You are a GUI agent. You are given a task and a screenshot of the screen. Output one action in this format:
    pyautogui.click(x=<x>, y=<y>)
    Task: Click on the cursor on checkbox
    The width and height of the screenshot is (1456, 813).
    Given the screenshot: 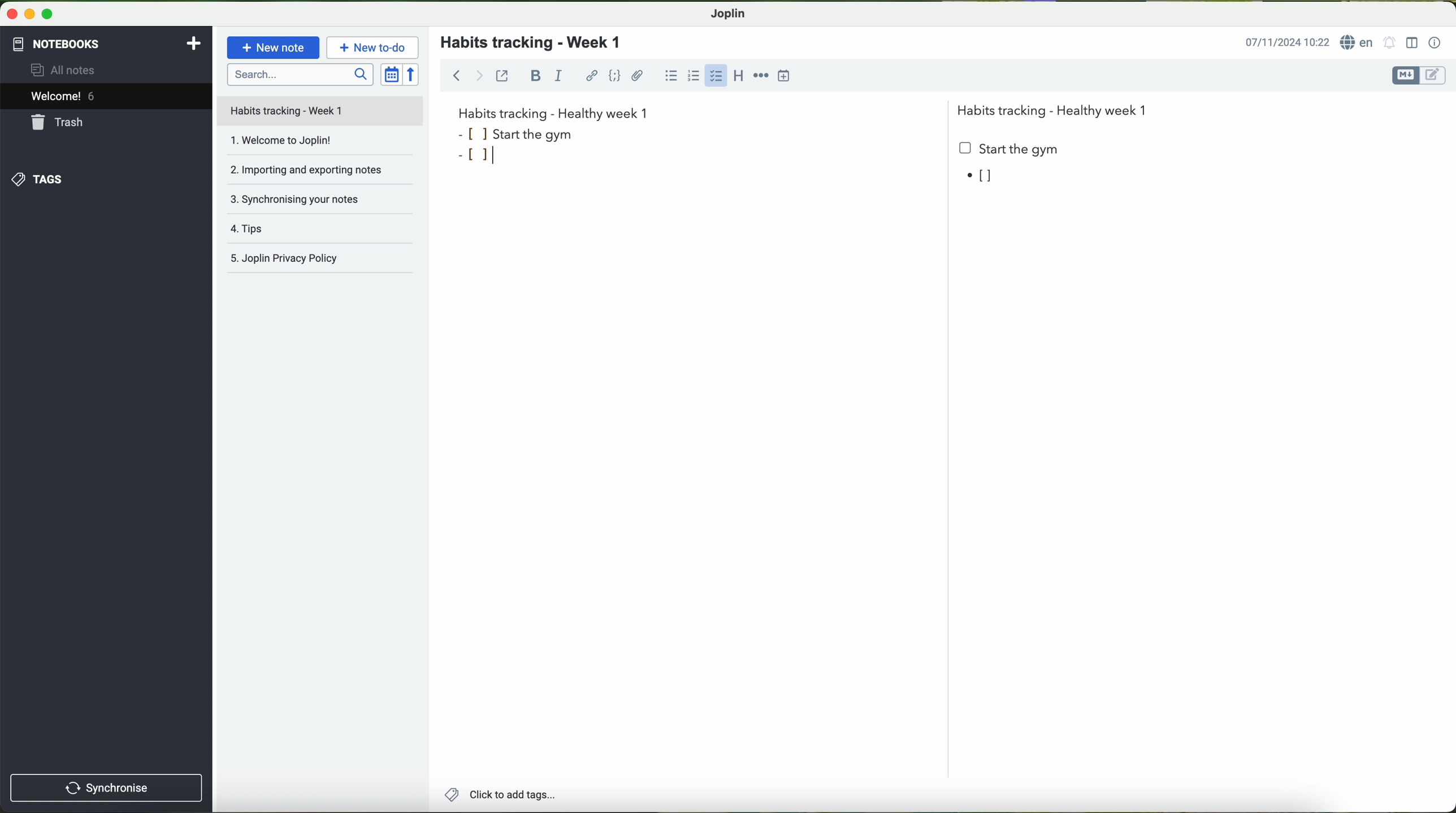 What is the action you would take?
    pyautogui.click(x=717, y=79)
    